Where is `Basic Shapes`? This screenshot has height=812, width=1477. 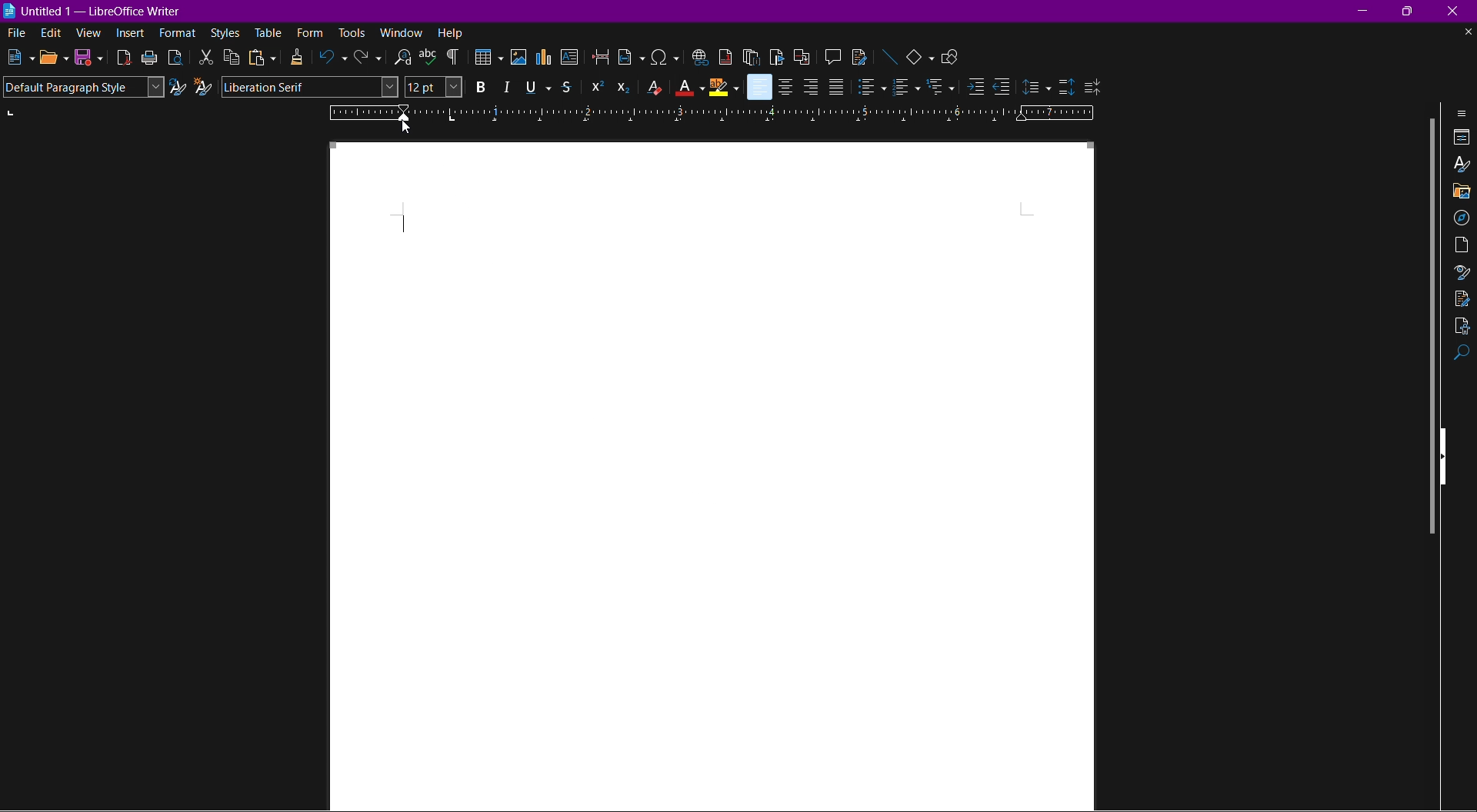
Basic Shapes is located at coordinates (922, 55).